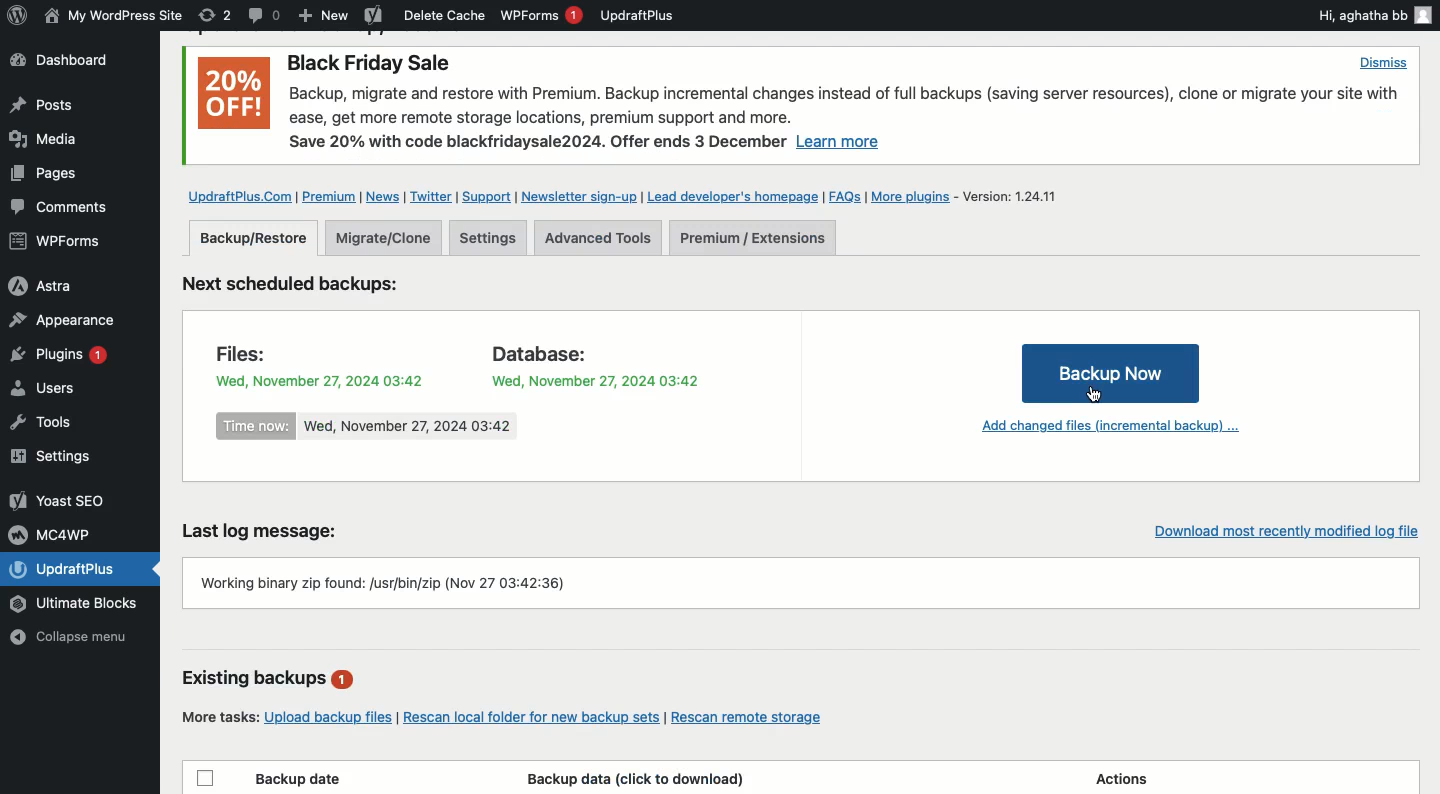 This screenshot has height=794, width=1440. I want to click on Yoast, so click(372, 17).